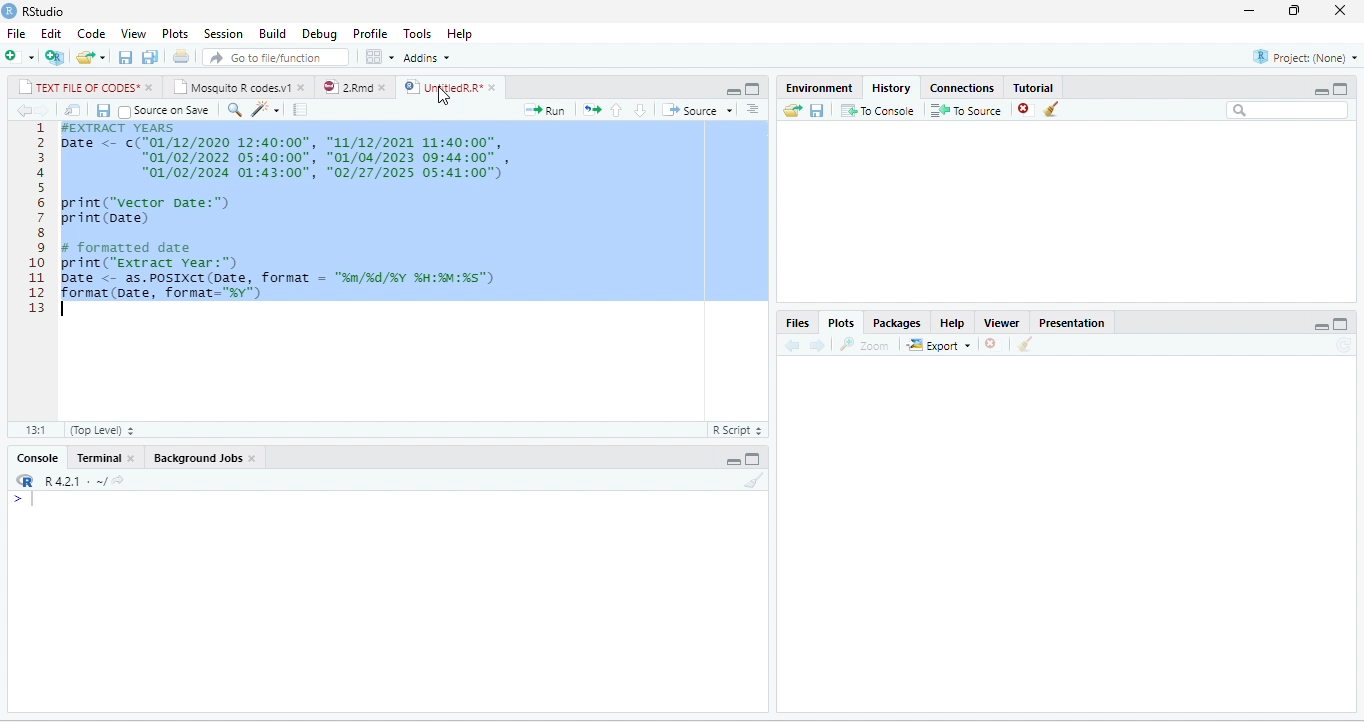  I want to click on close, so click(132, 457).